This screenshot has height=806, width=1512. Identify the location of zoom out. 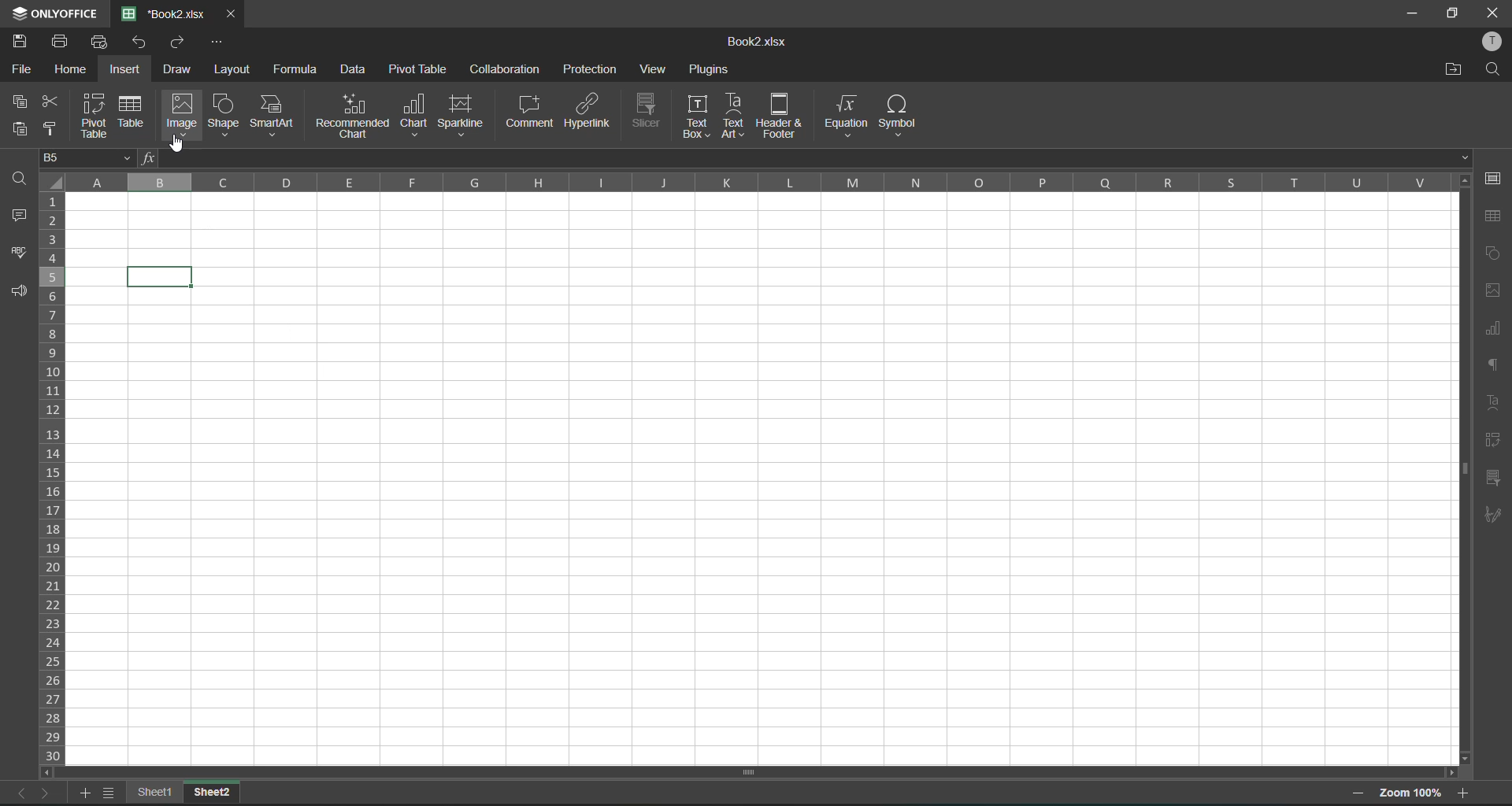
(1361, 795).